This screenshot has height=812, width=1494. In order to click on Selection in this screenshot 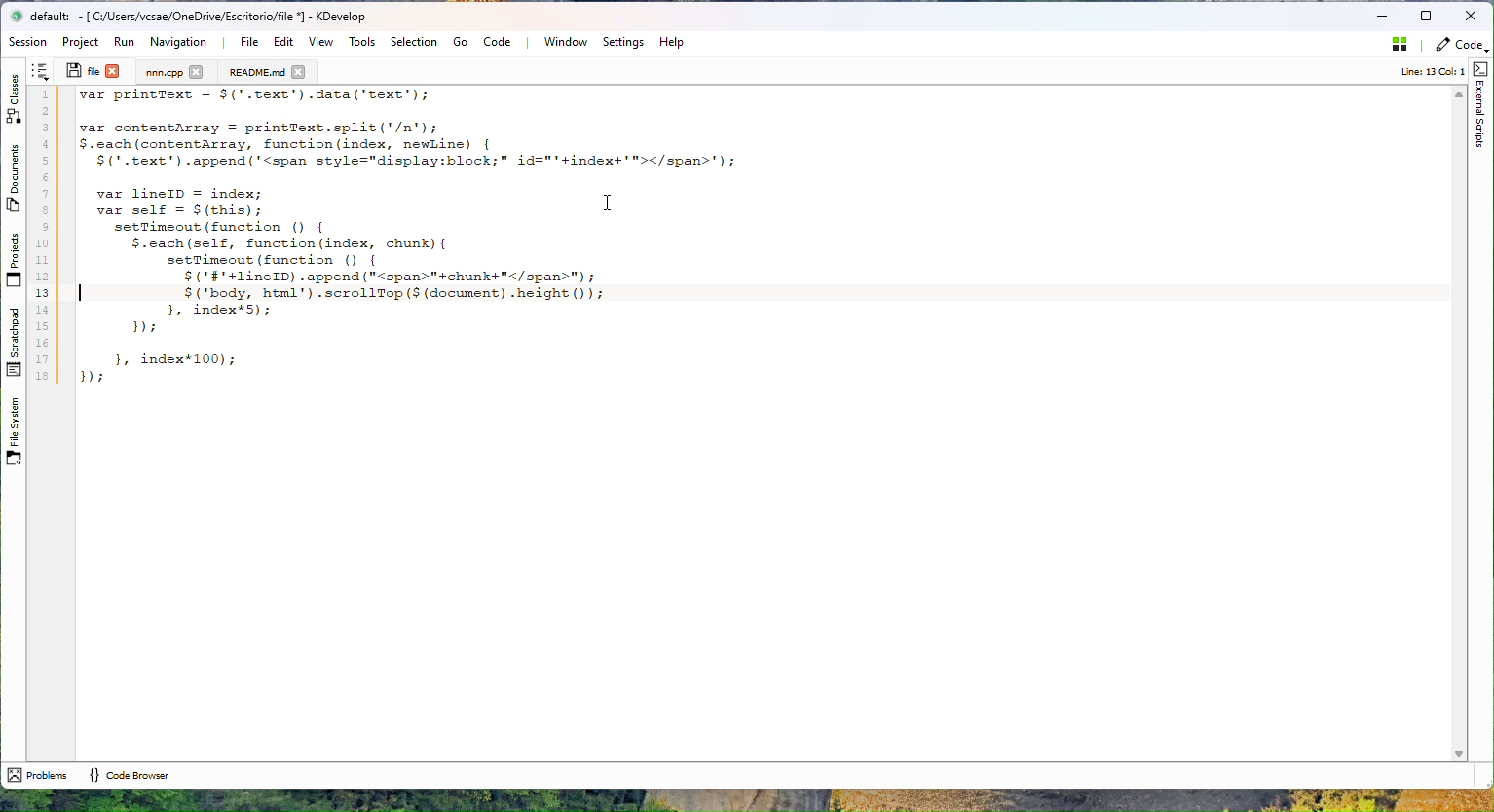, I will do `click(413, 42)`.